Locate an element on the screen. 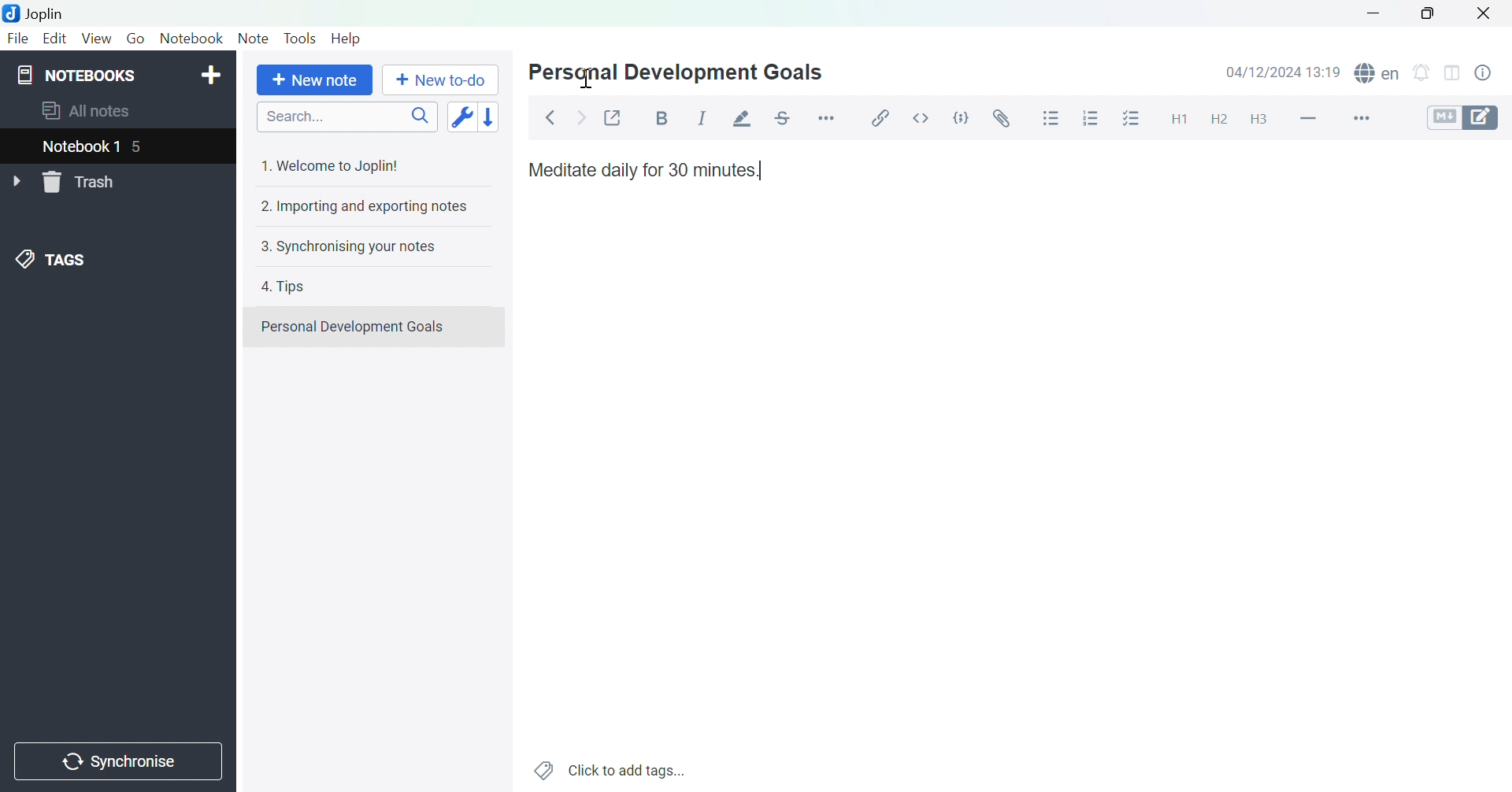 The width and height of the screenshot is (1512, 792). Edit is located at coordinates (54, 38).